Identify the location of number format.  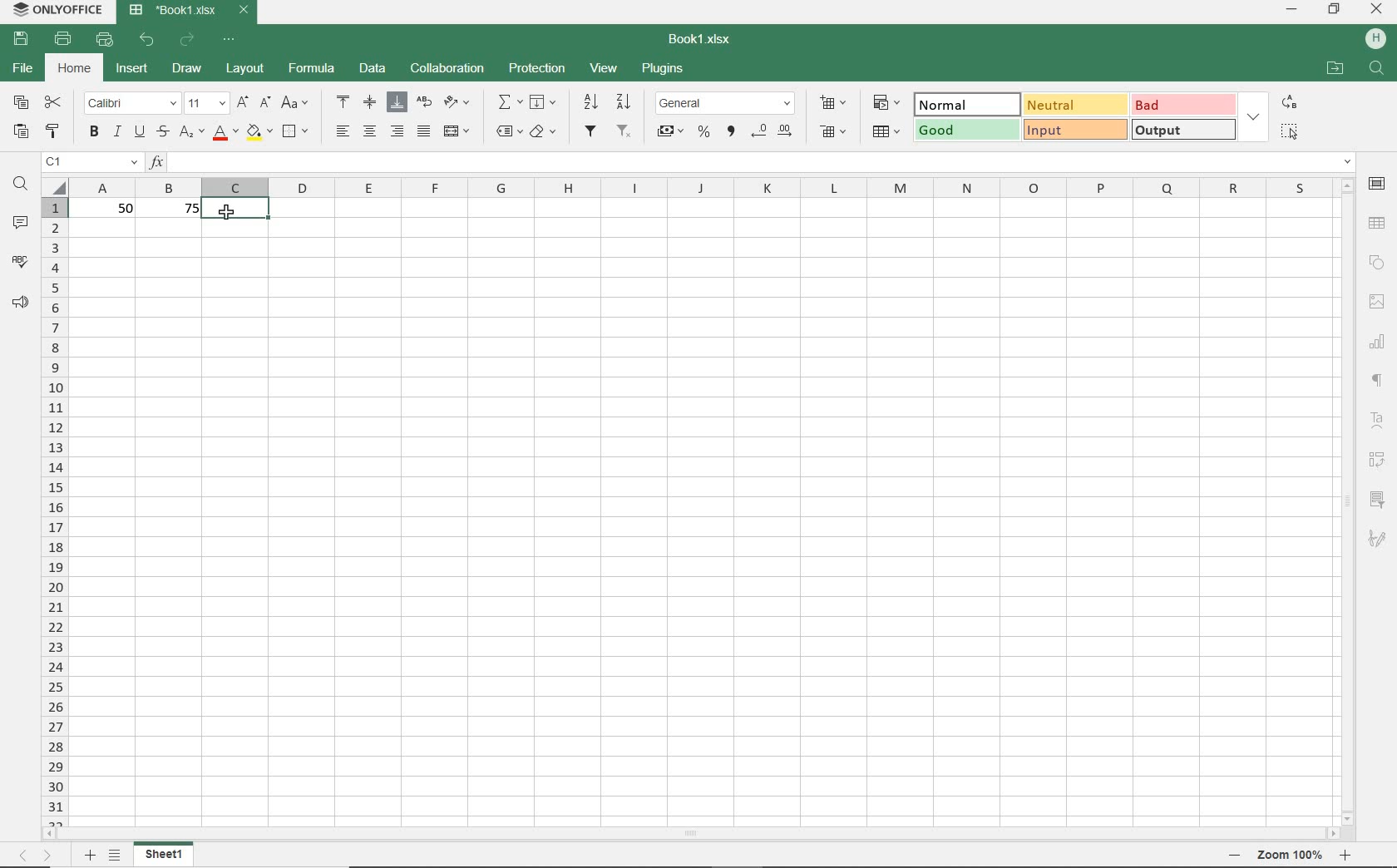
(724, 101).